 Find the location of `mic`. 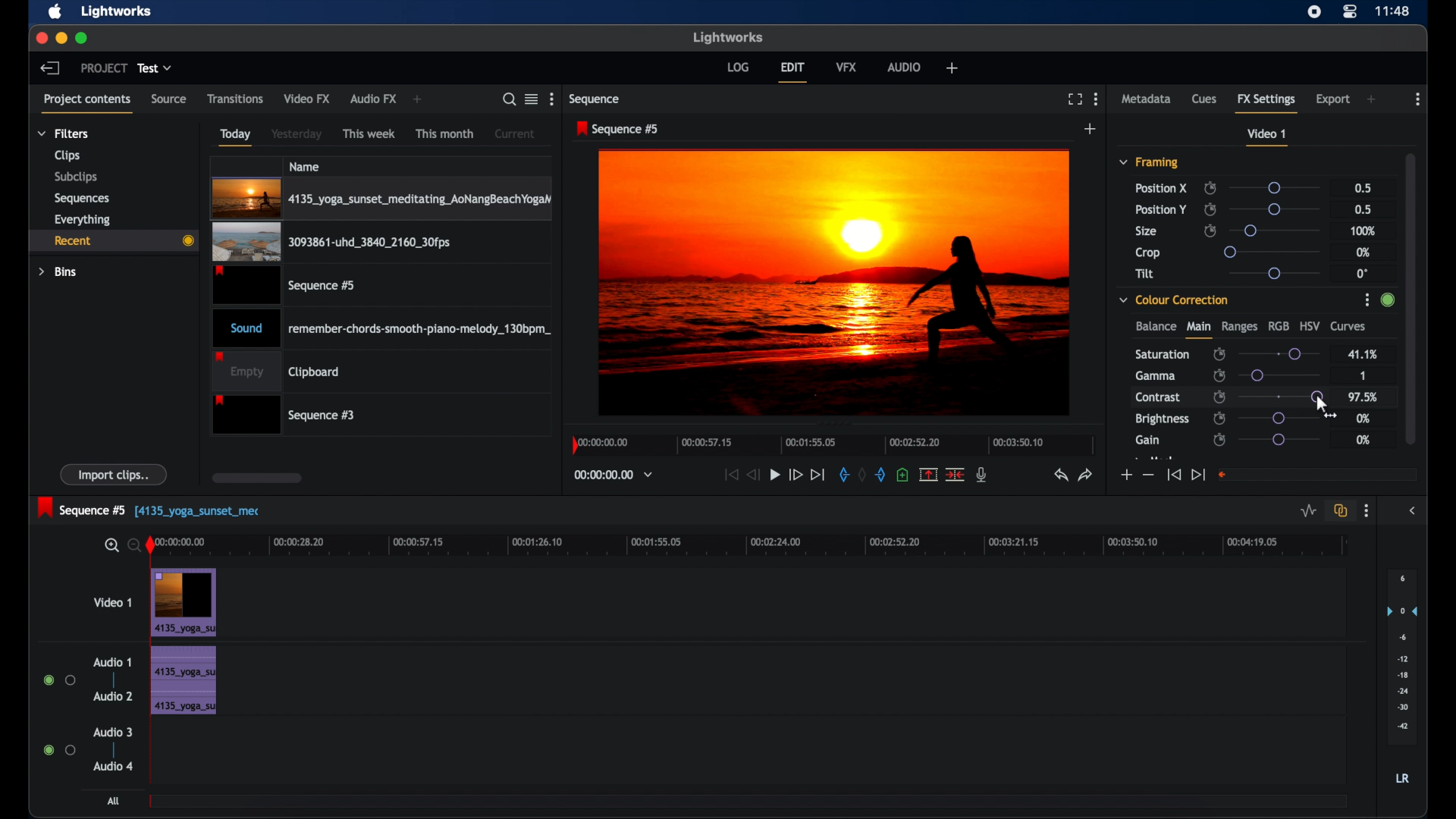

mic is located at coordinates (983, 475).